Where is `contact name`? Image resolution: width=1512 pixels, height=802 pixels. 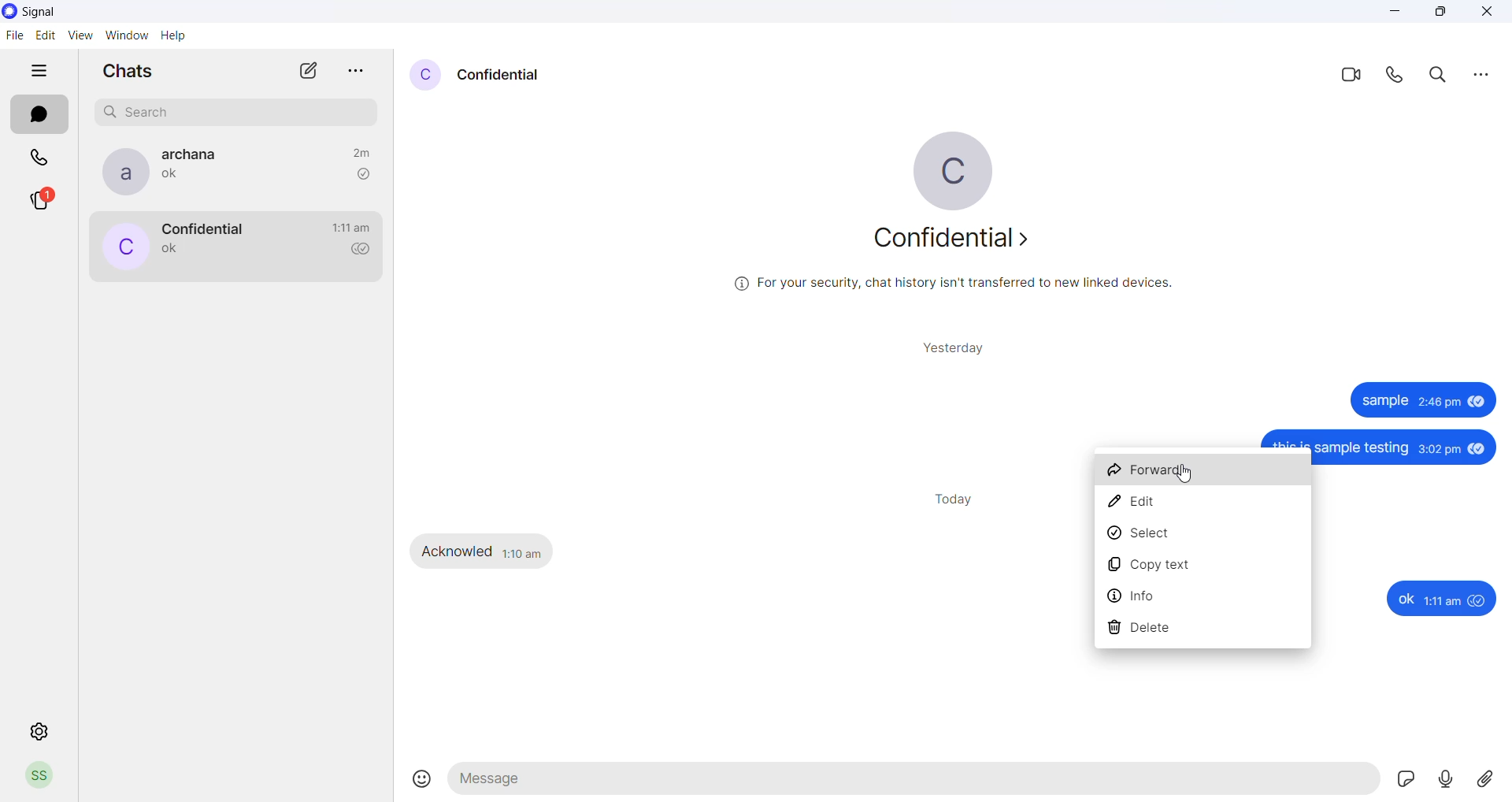
contact name is located at coordinates (196, 154).